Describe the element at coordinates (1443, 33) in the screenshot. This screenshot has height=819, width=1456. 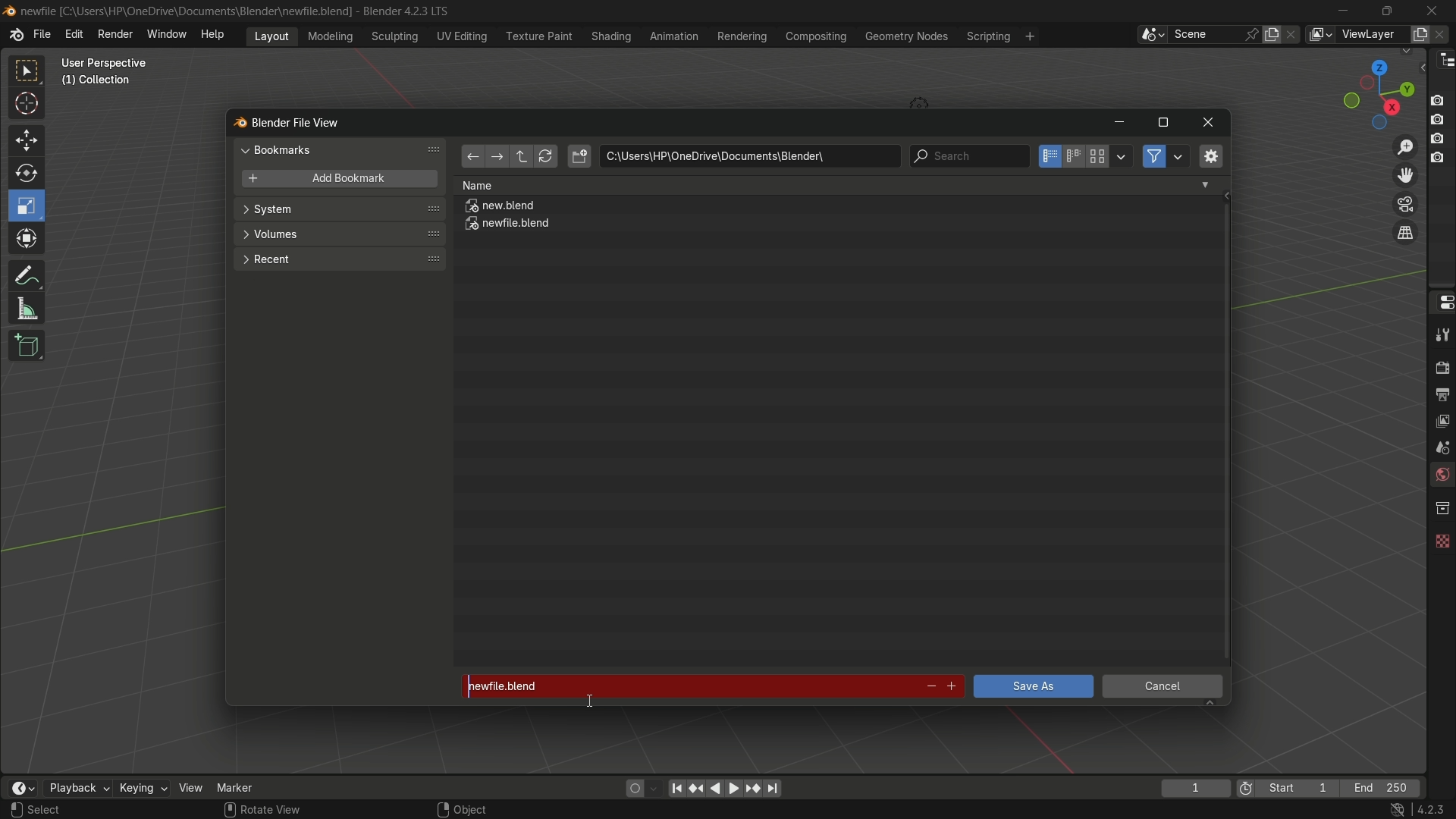
I see `remove view layer` at that location.